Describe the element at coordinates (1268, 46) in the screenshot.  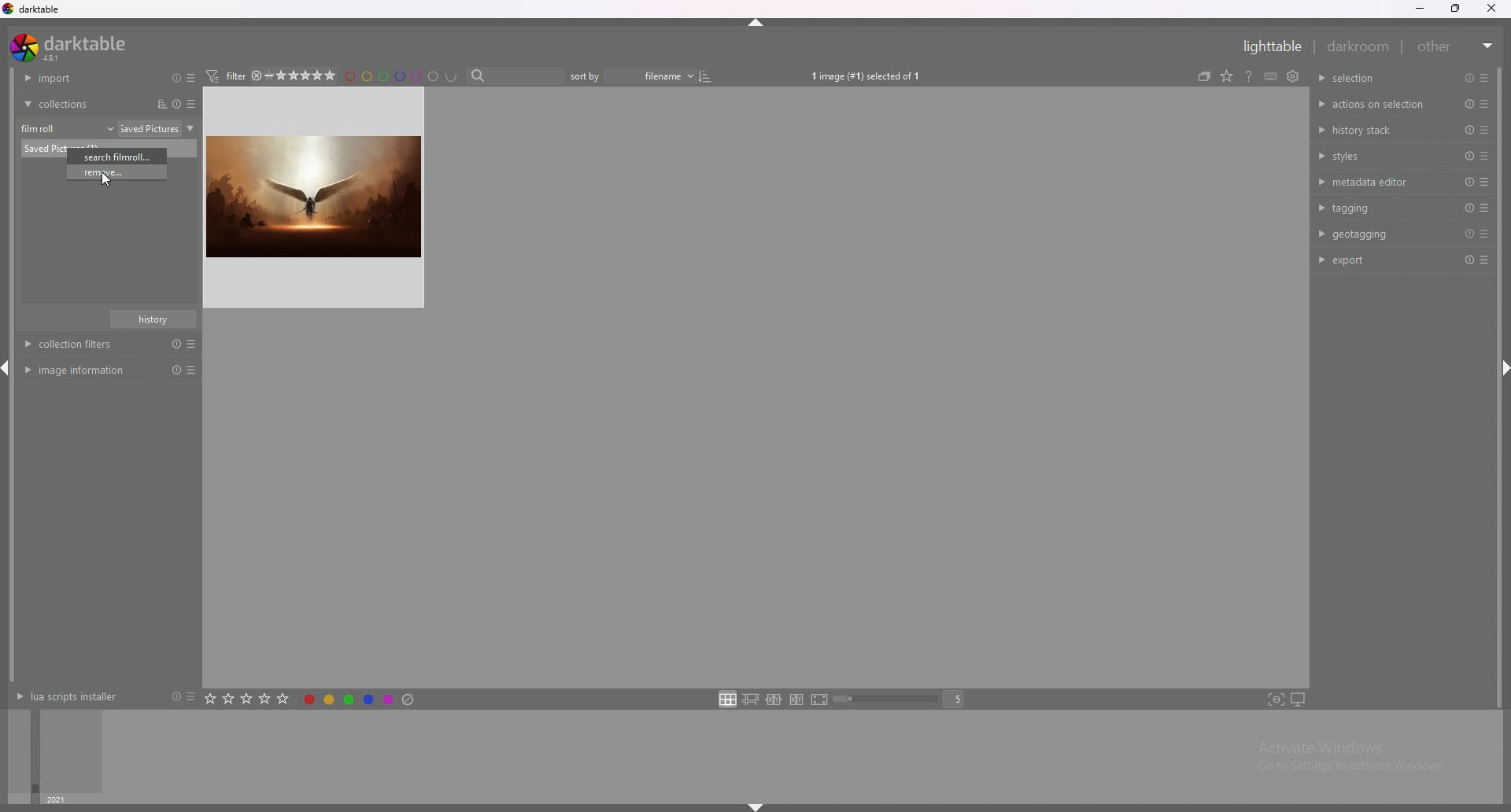
I see `lighttable` at that location.